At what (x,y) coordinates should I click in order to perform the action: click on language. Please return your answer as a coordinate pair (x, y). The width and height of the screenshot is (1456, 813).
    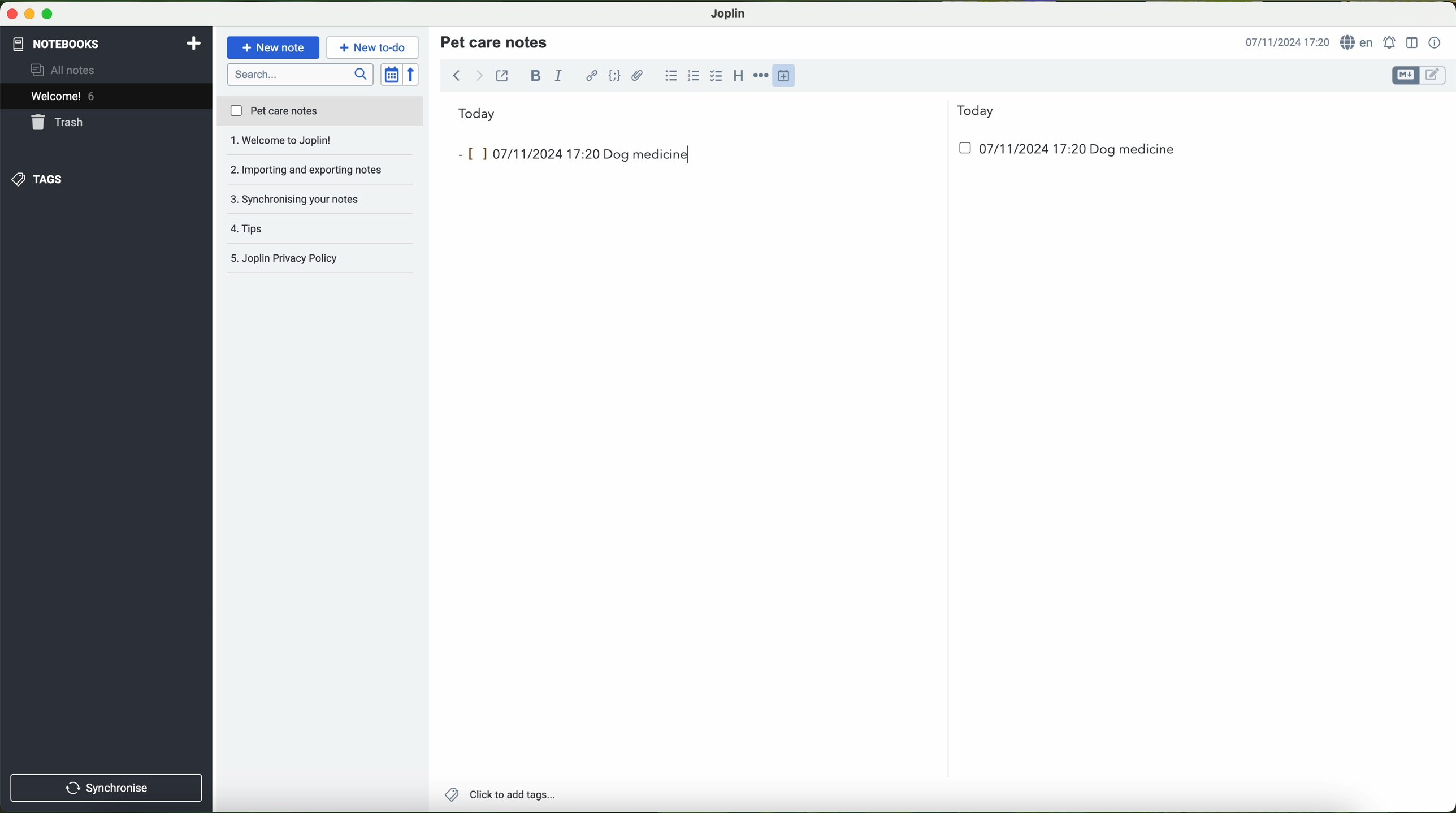
    Looking at the image, I should click on (1359, 43).